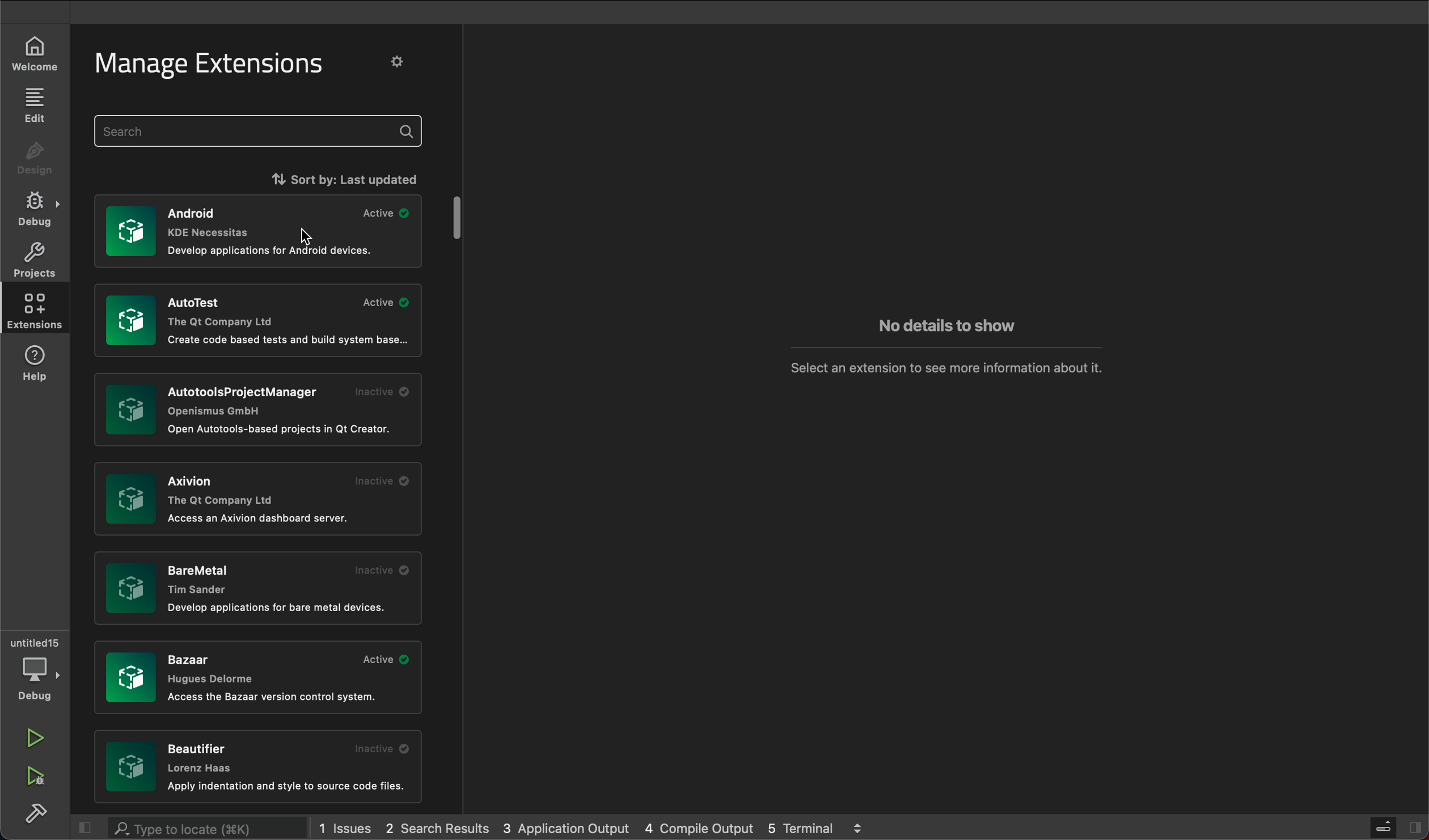 The height and width of the screenshot is (840, 1429). I want to click on settingd, so click(403, 63).